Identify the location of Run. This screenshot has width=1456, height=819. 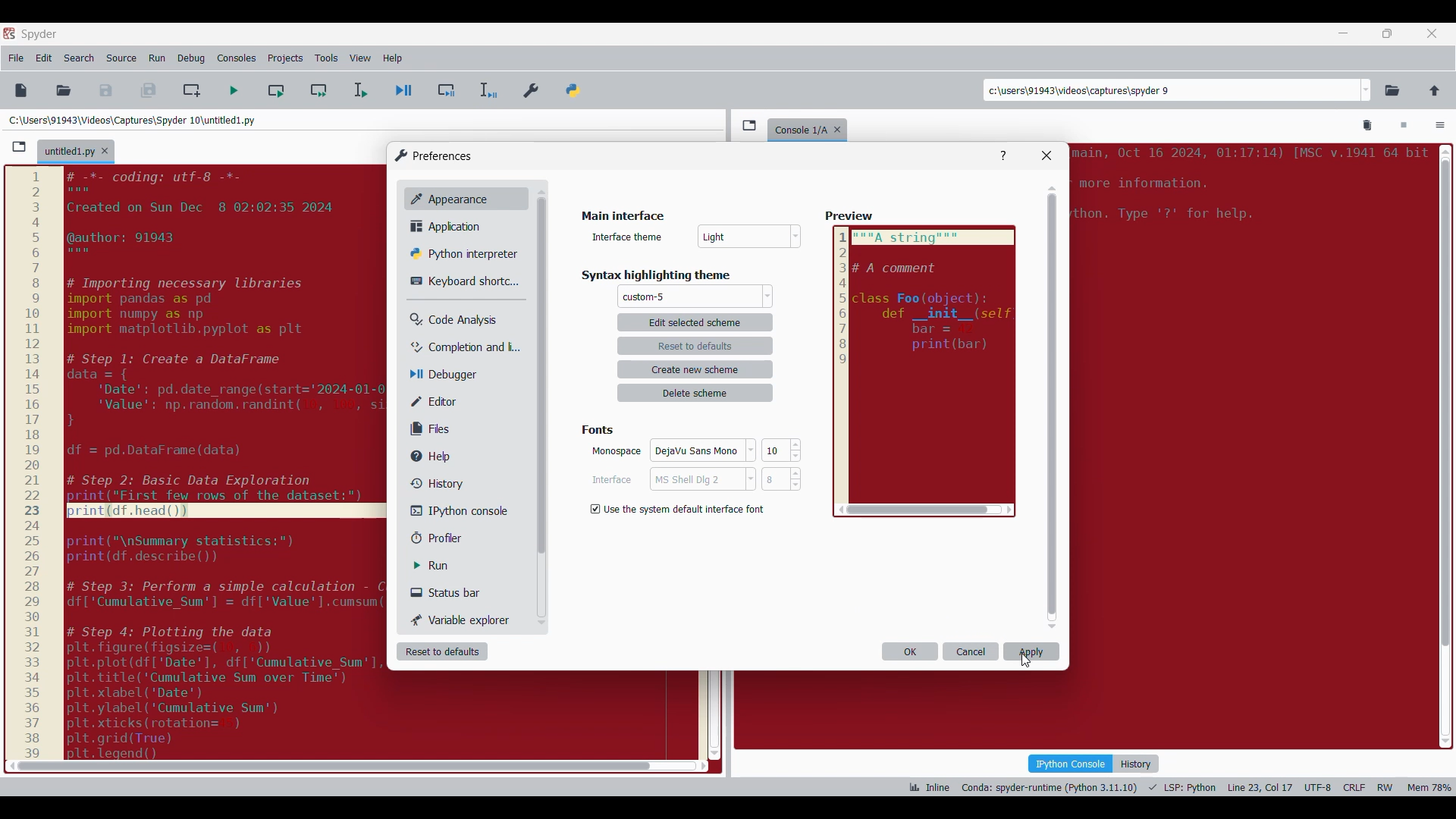
(442, 566).